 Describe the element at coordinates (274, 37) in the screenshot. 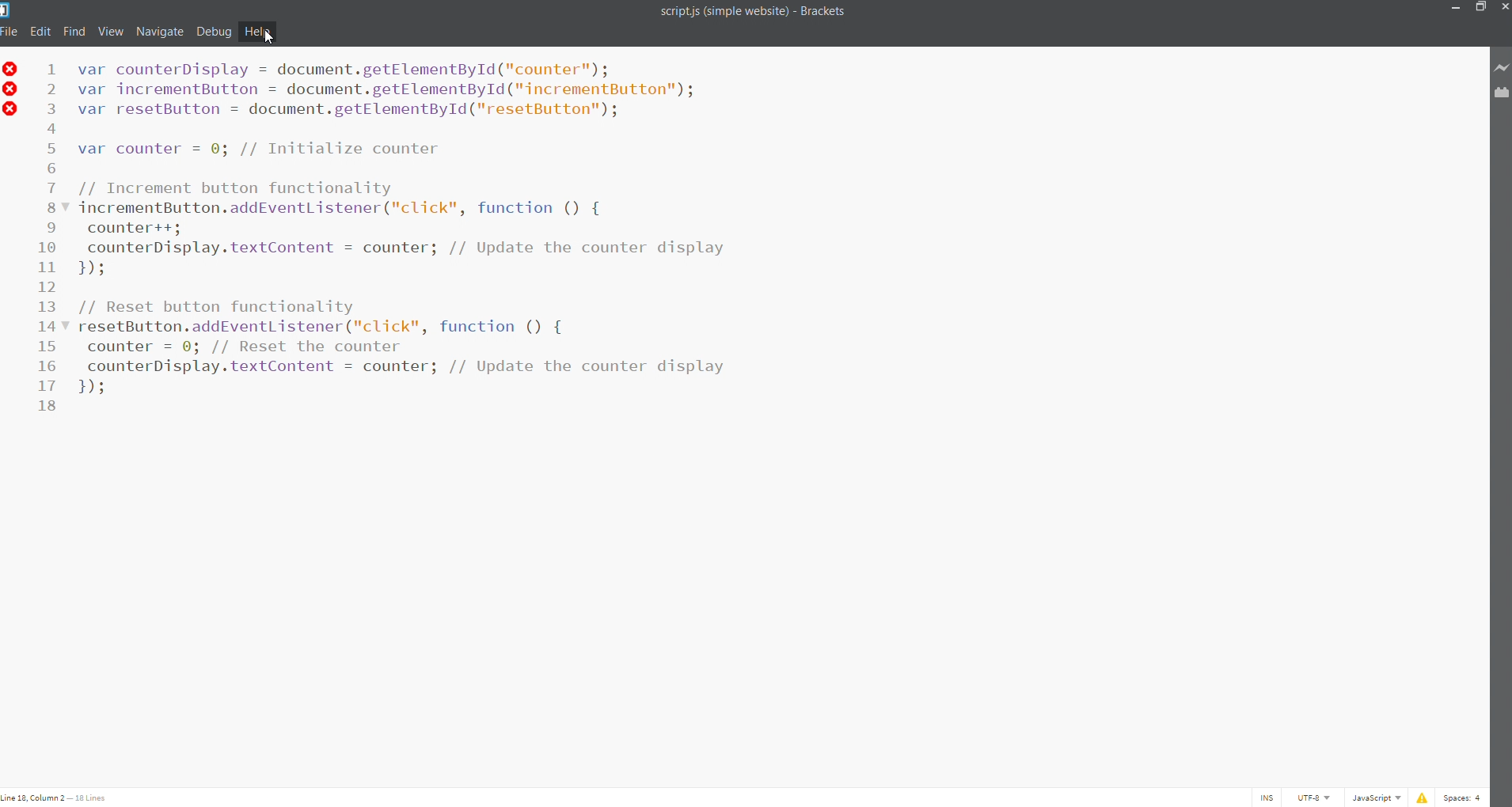

I see `Cursor` at that location.